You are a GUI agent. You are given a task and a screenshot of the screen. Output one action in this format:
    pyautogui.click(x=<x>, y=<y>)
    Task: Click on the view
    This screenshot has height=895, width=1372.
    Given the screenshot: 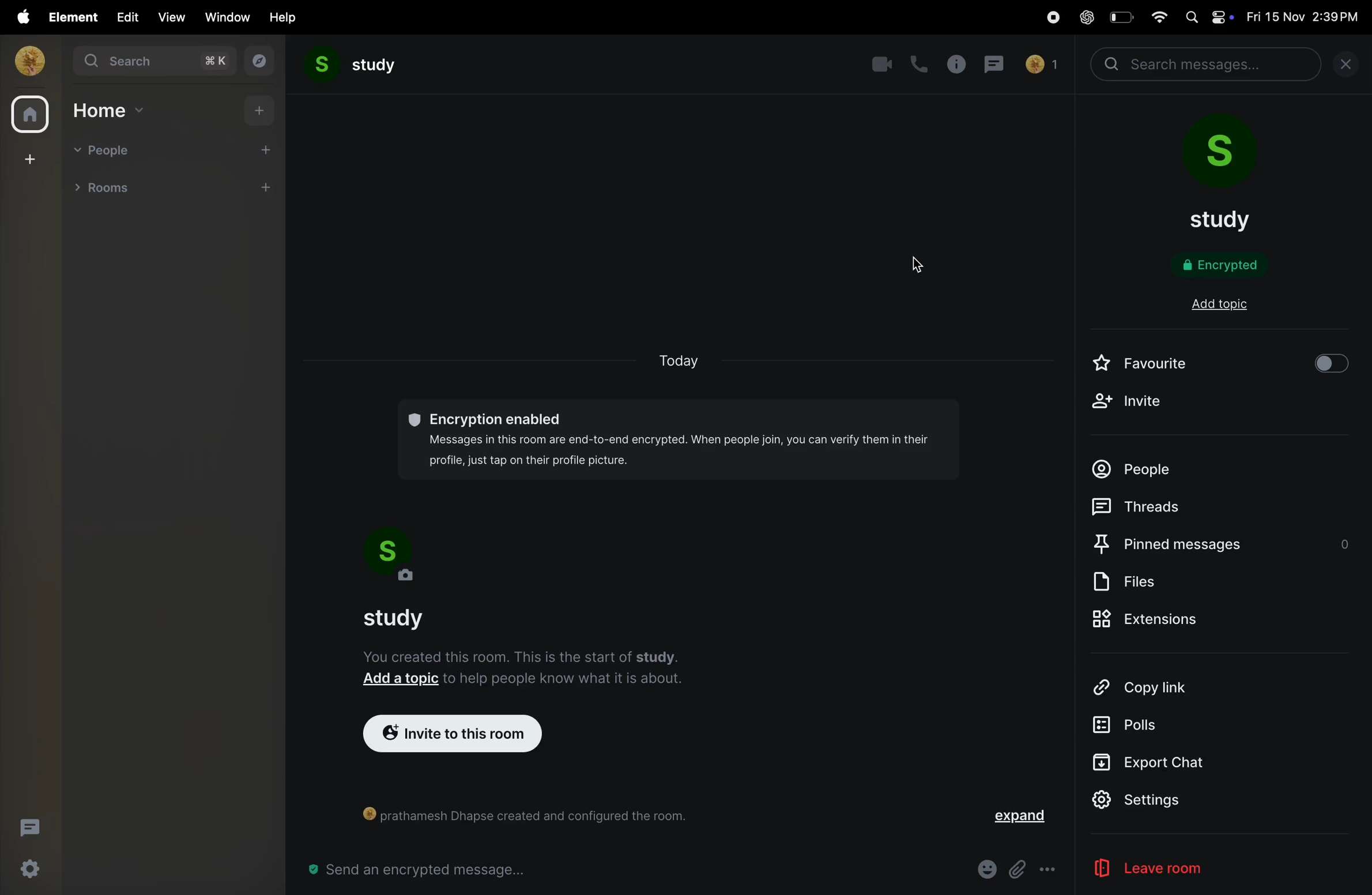 What is the action you would take?
    pyautogui.click(x=170, y=17)
    